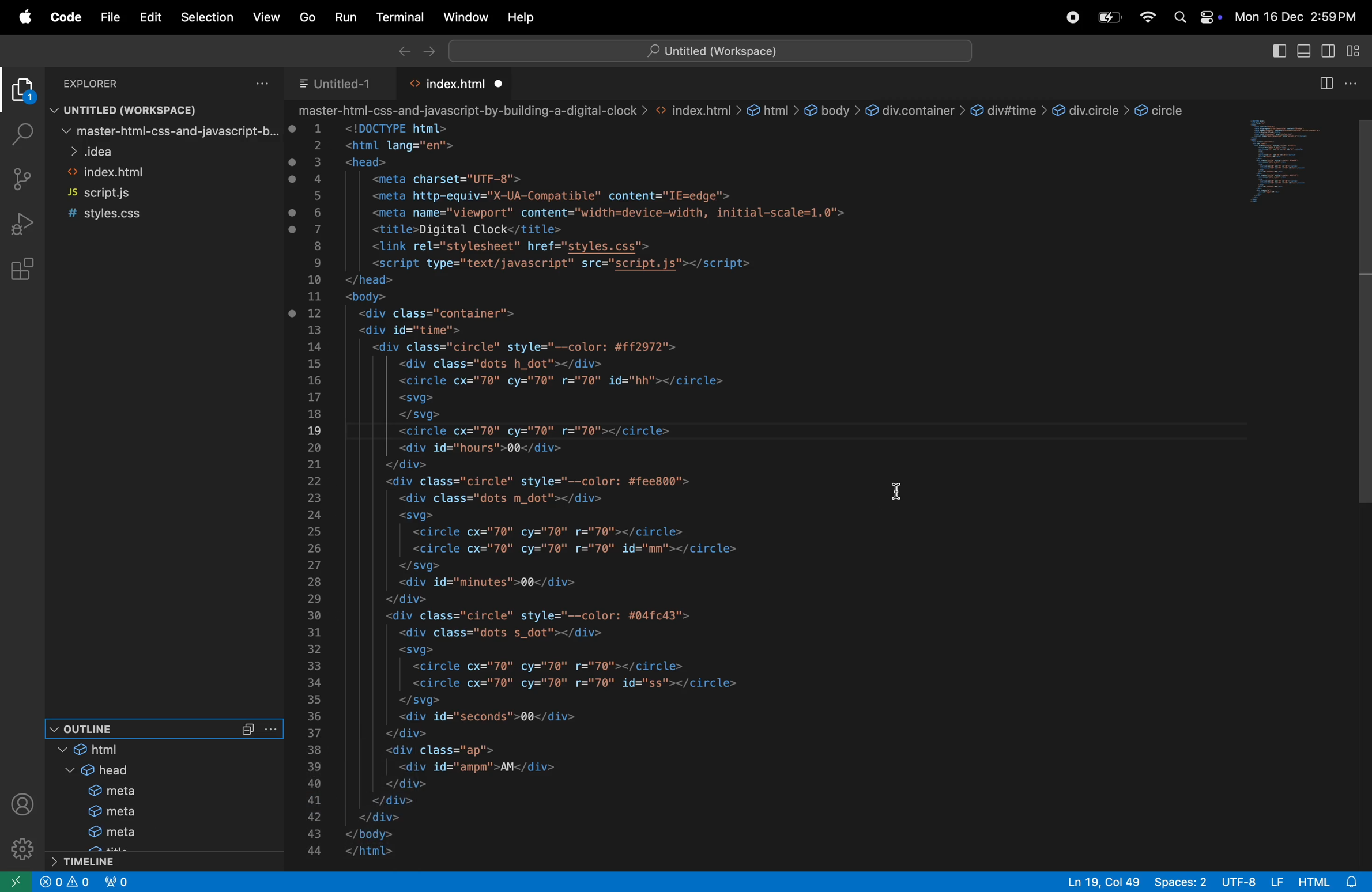 The image size is (1372, 892). I want to click on Go, so click(303, 17).